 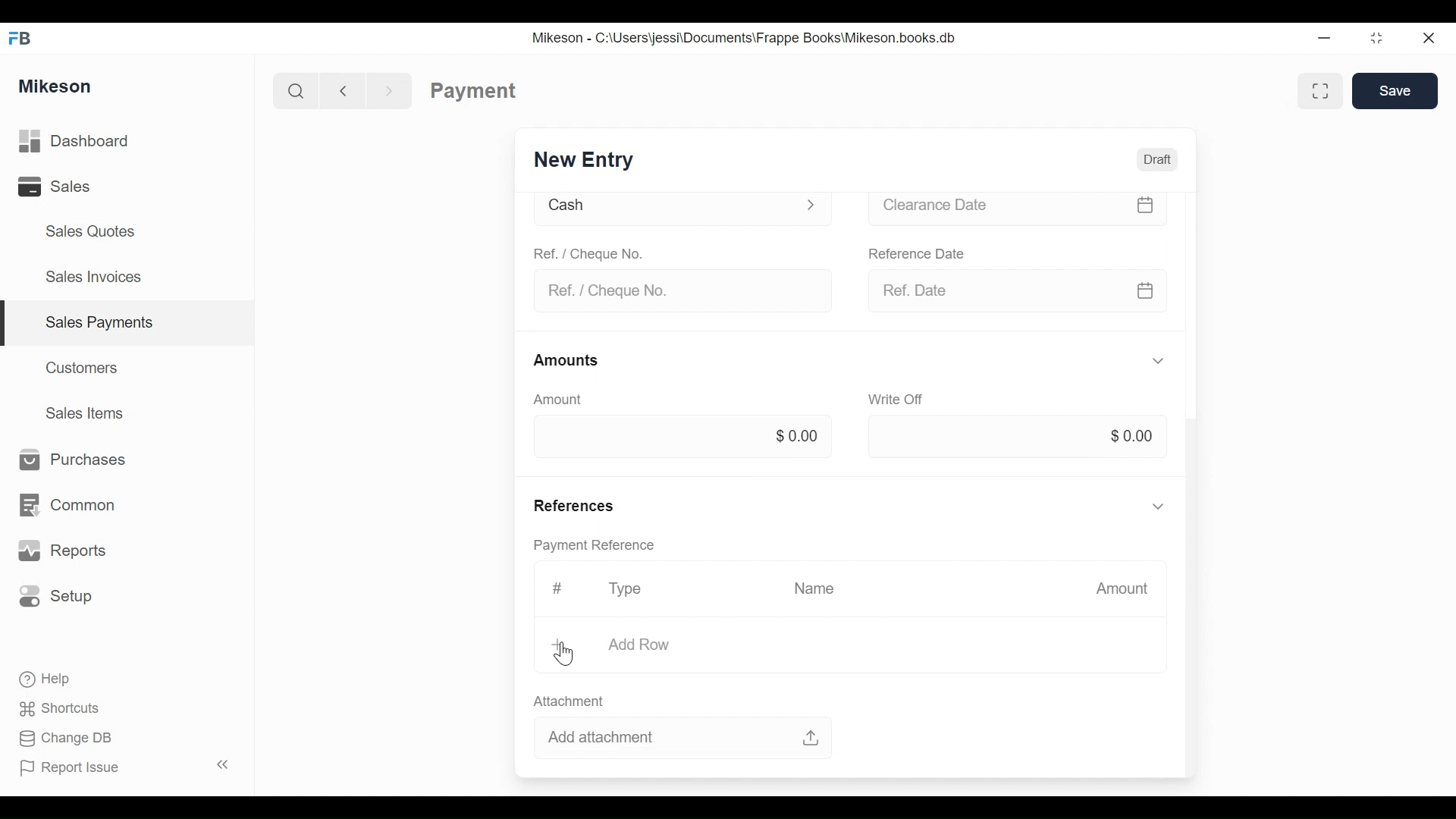 What do you see at coordinates (594, 256) in the screenshot?
I see `Ref. / Cheque No.` at bounding box center [594, 256].